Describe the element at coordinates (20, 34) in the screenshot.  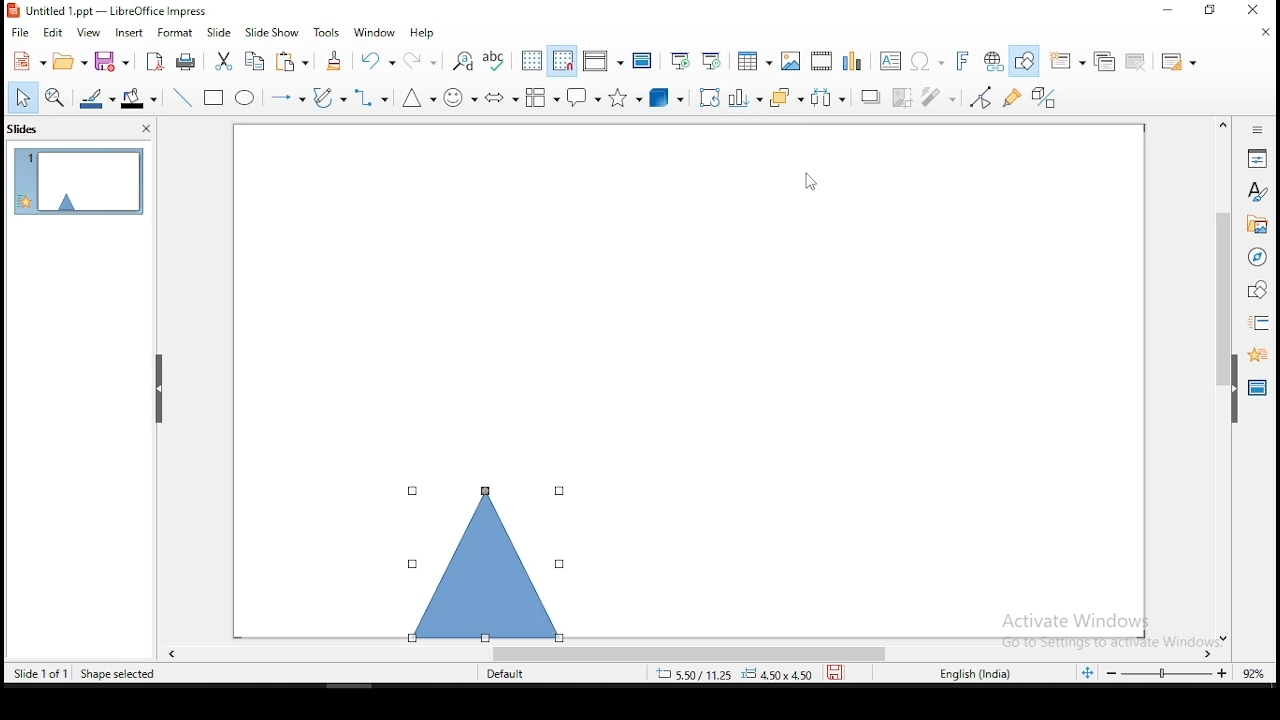
I see `file` at that location.